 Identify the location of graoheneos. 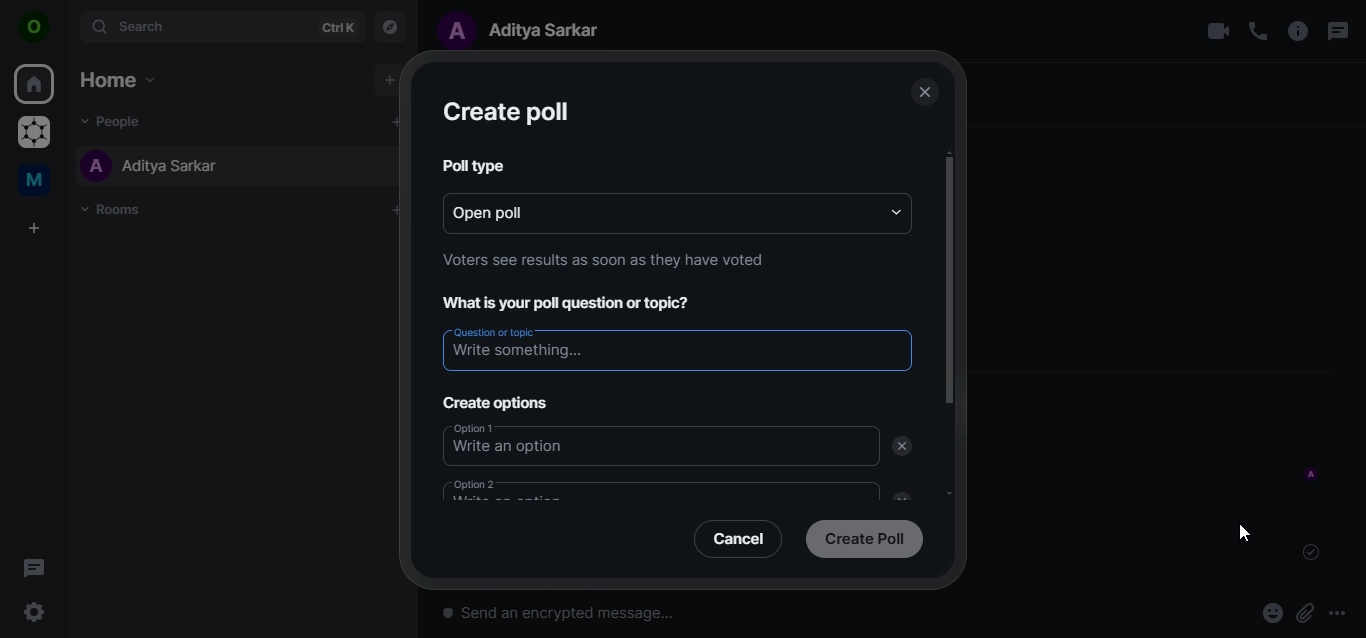
(34, 134).